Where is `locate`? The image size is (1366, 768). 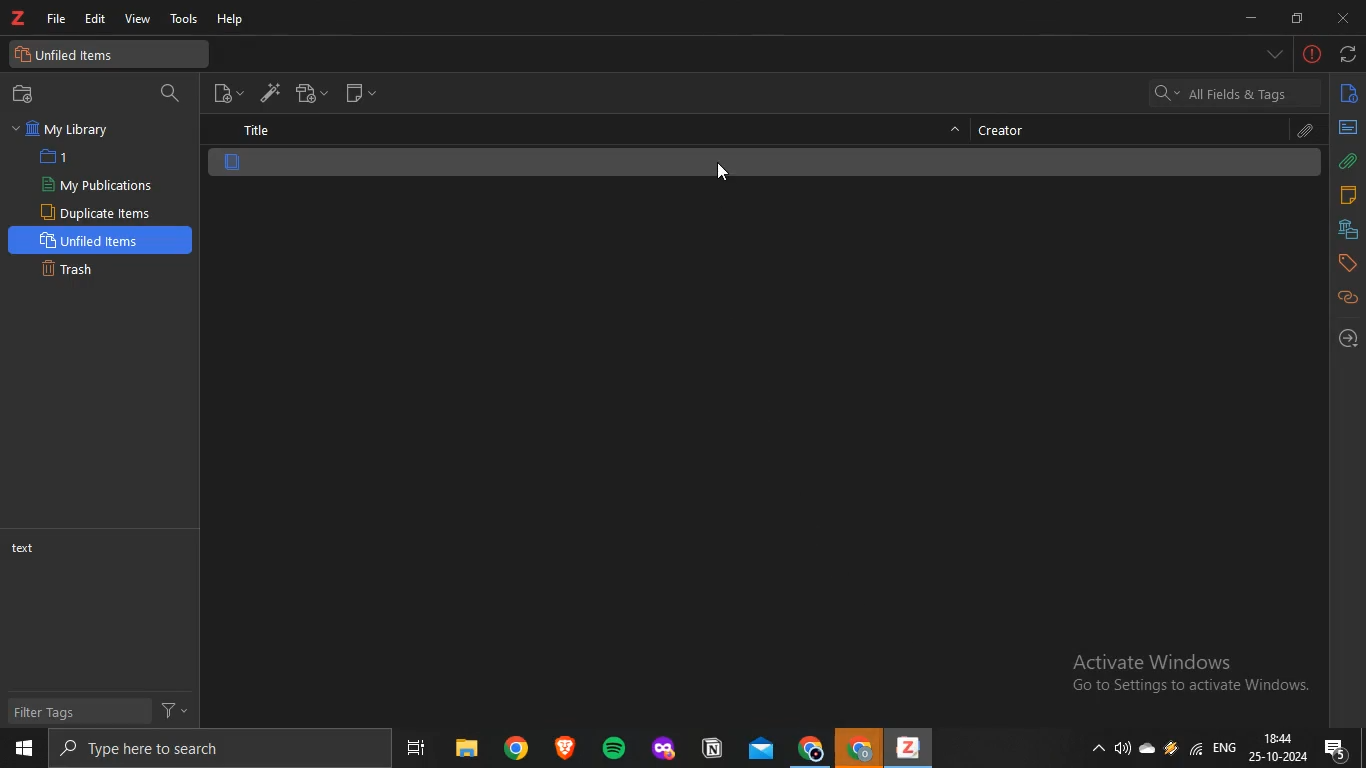
locate is located at coordinates (1348, 337).